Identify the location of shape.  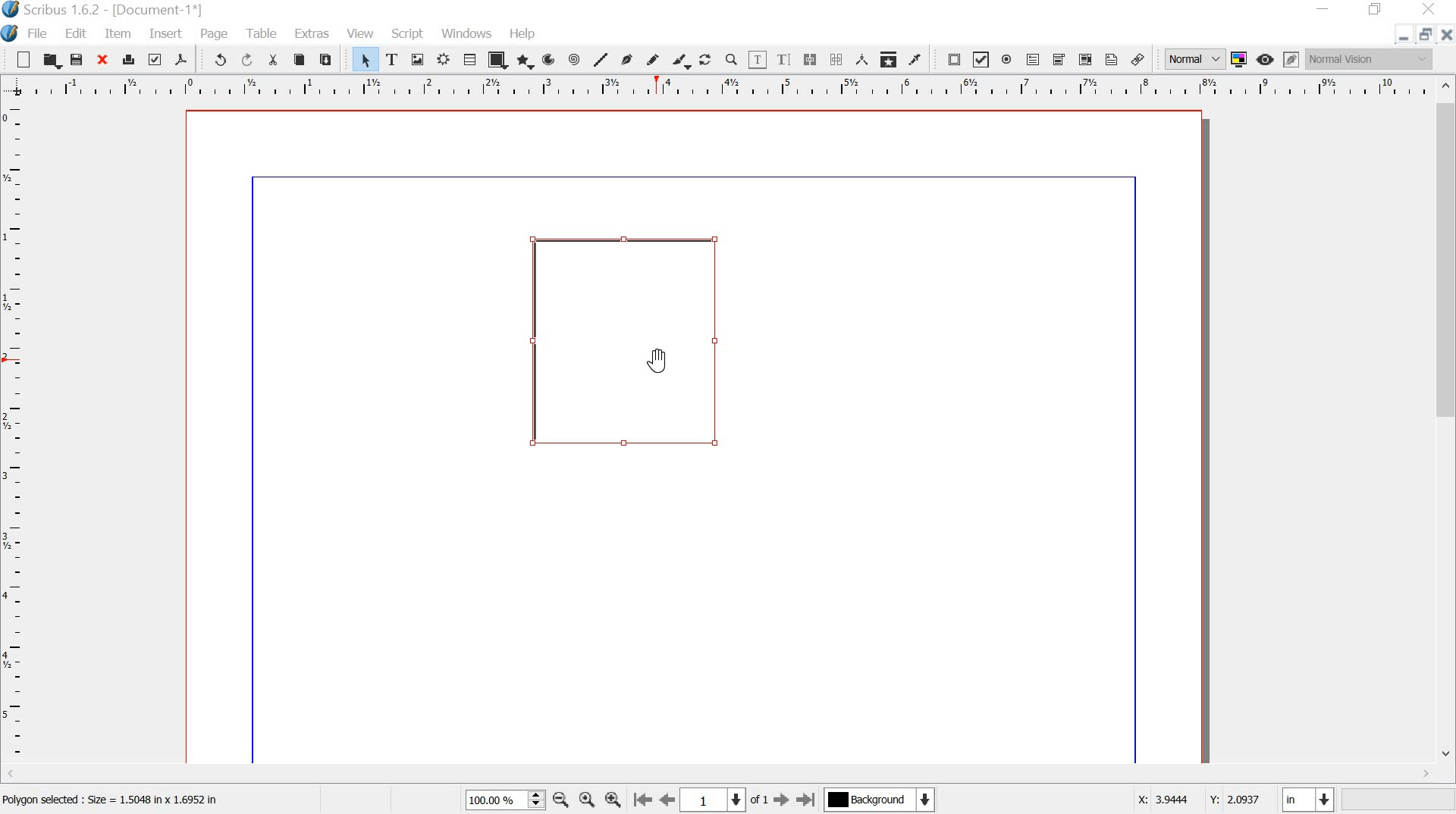
(498, 60).